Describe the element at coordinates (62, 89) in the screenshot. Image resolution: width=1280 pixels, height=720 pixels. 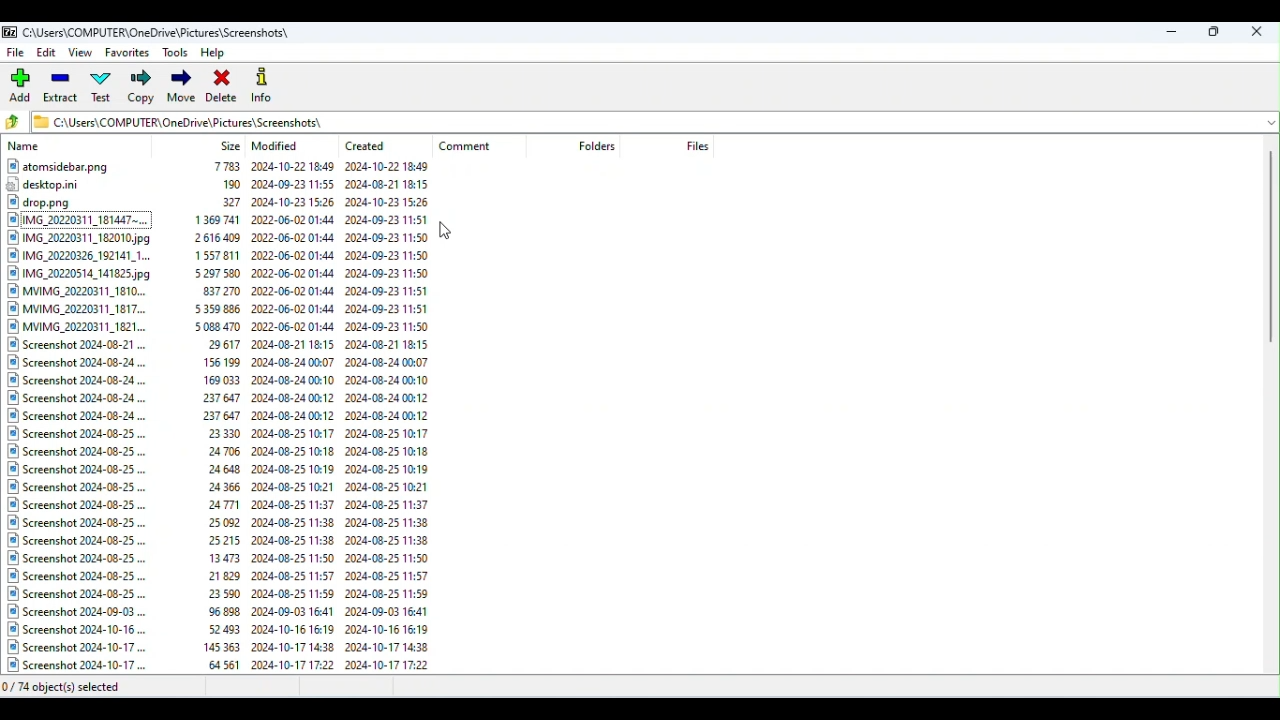
I see `Extract` at that location.